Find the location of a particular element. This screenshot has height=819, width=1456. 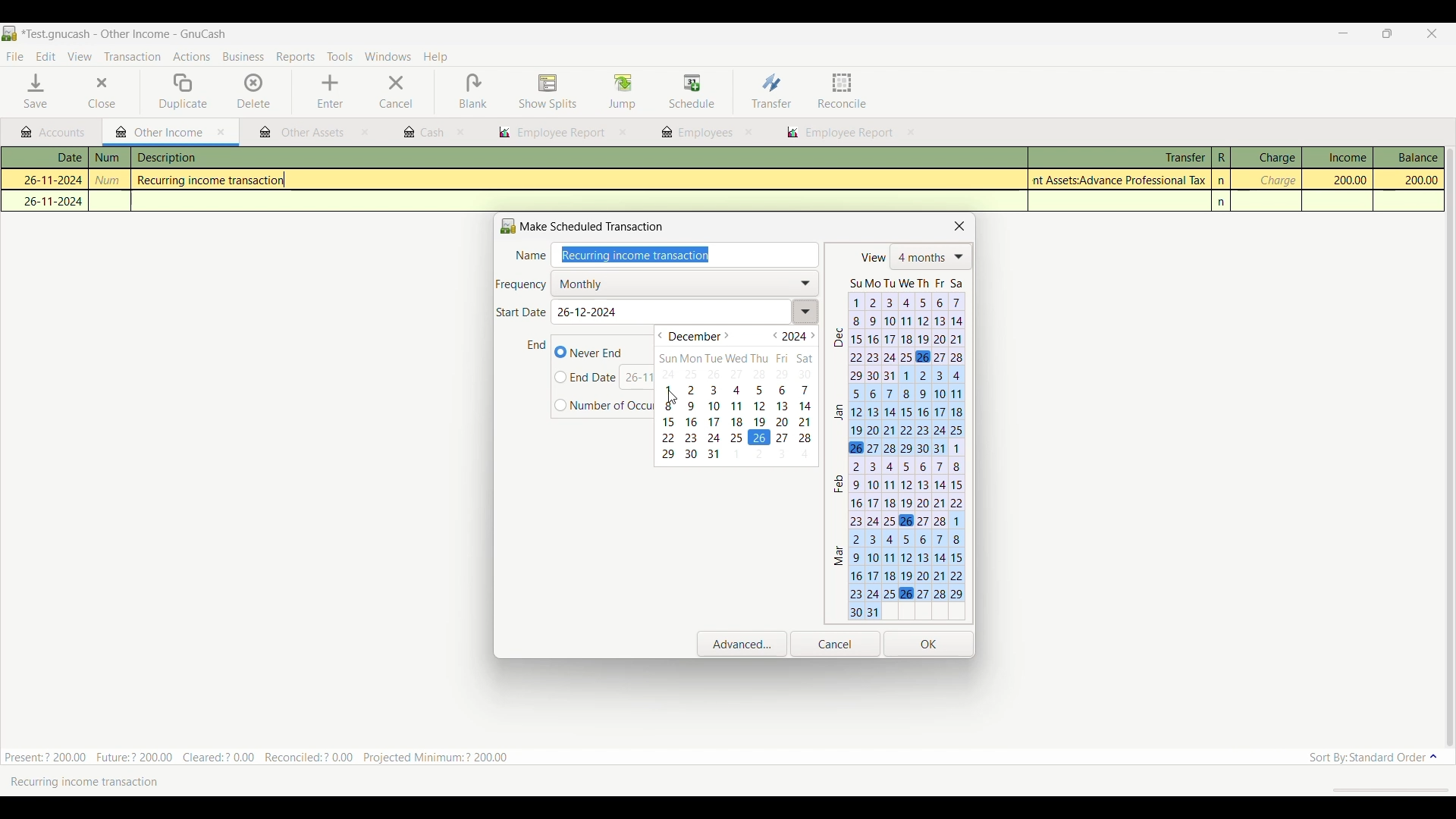

Present:? 200.00 Future:? 200.00 Cleared:? 0.00 Reconciled:? 0.00 Projected Minimum: ? 200.00 is located at coordinates (265, 755).